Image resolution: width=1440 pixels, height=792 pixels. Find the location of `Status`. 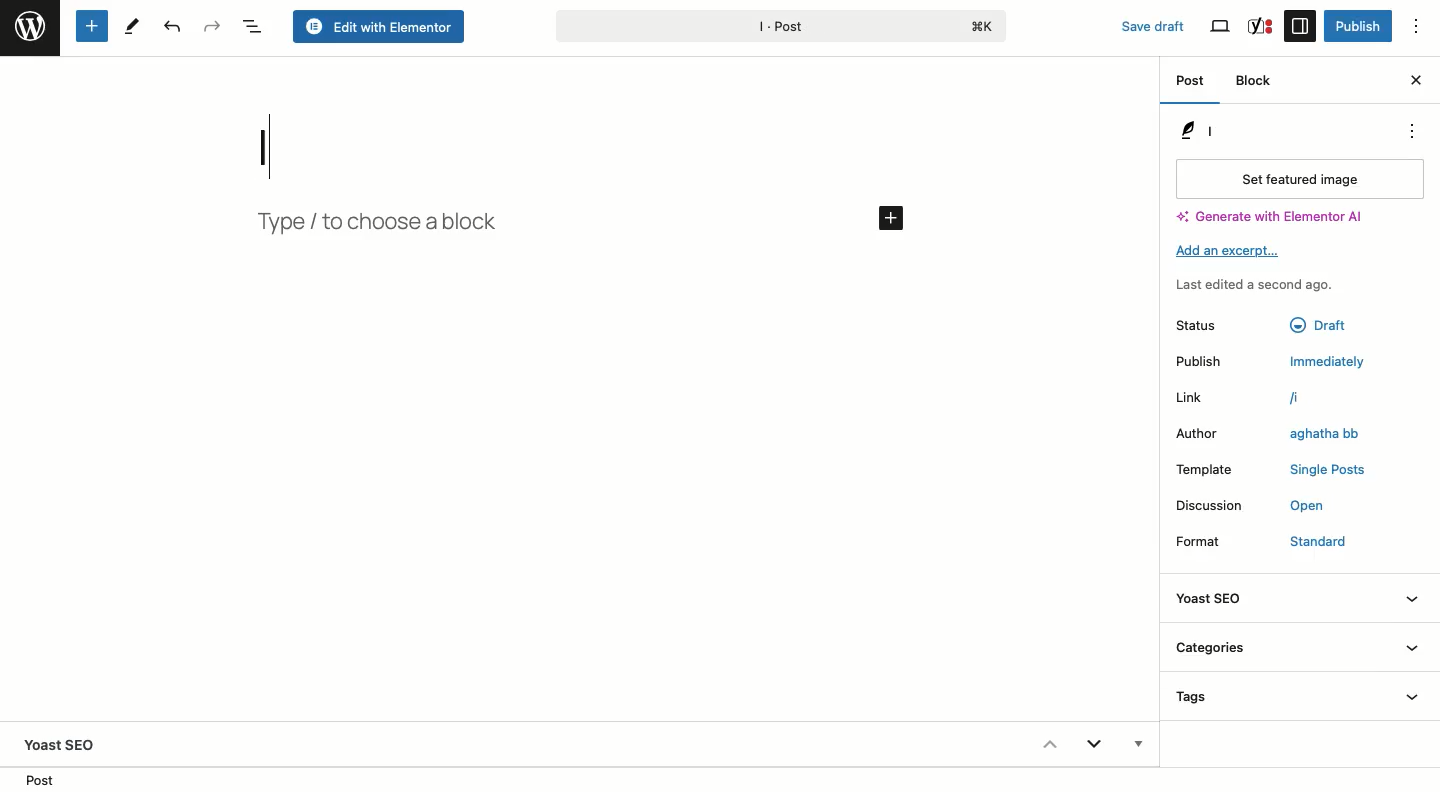

Status is located at coordinates (1196, 325).